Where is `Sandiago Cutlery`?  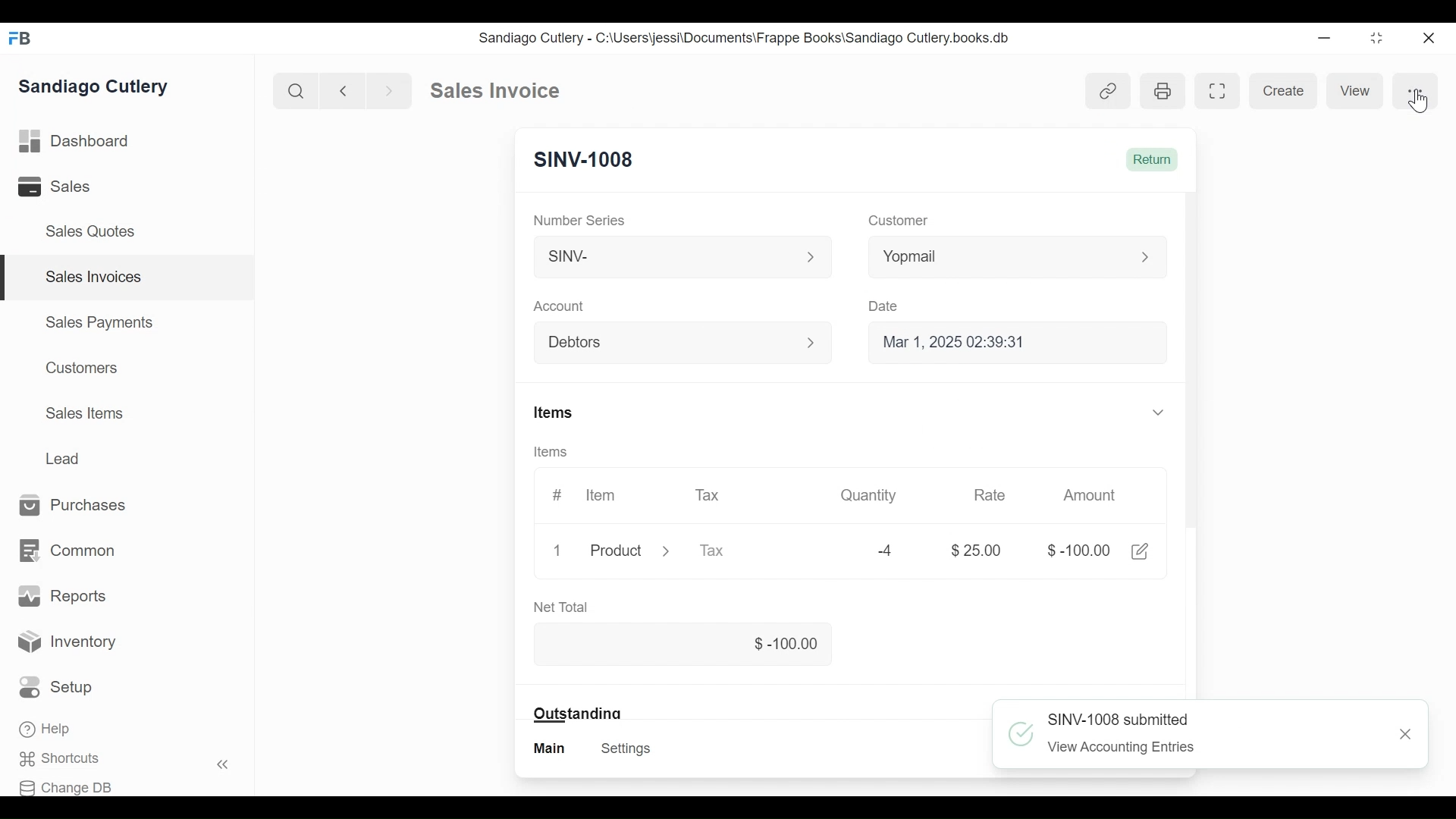 Sandiago Cutlery is located at coordinates (94, 85).